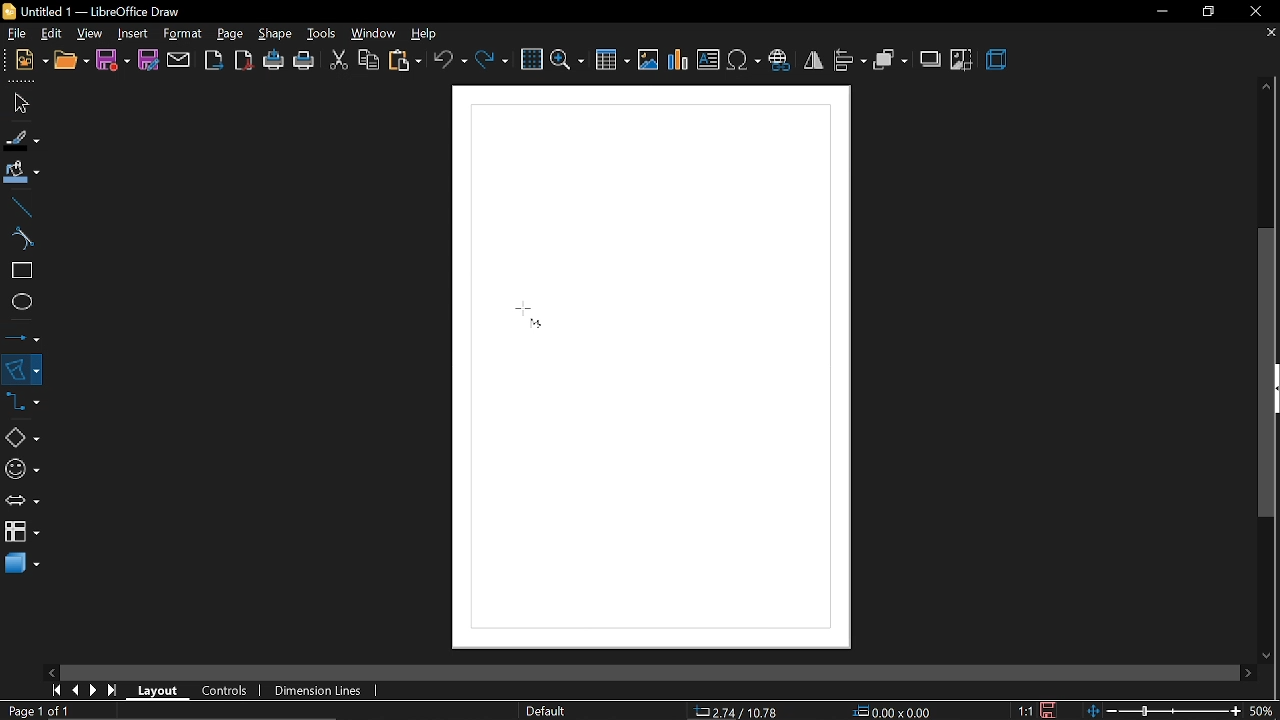 The height and width of the screenshot is (720, 1280). What do you see at coordinates (814, 61) in the screenshot?
I see `flip` at bounding box center [814, 61].